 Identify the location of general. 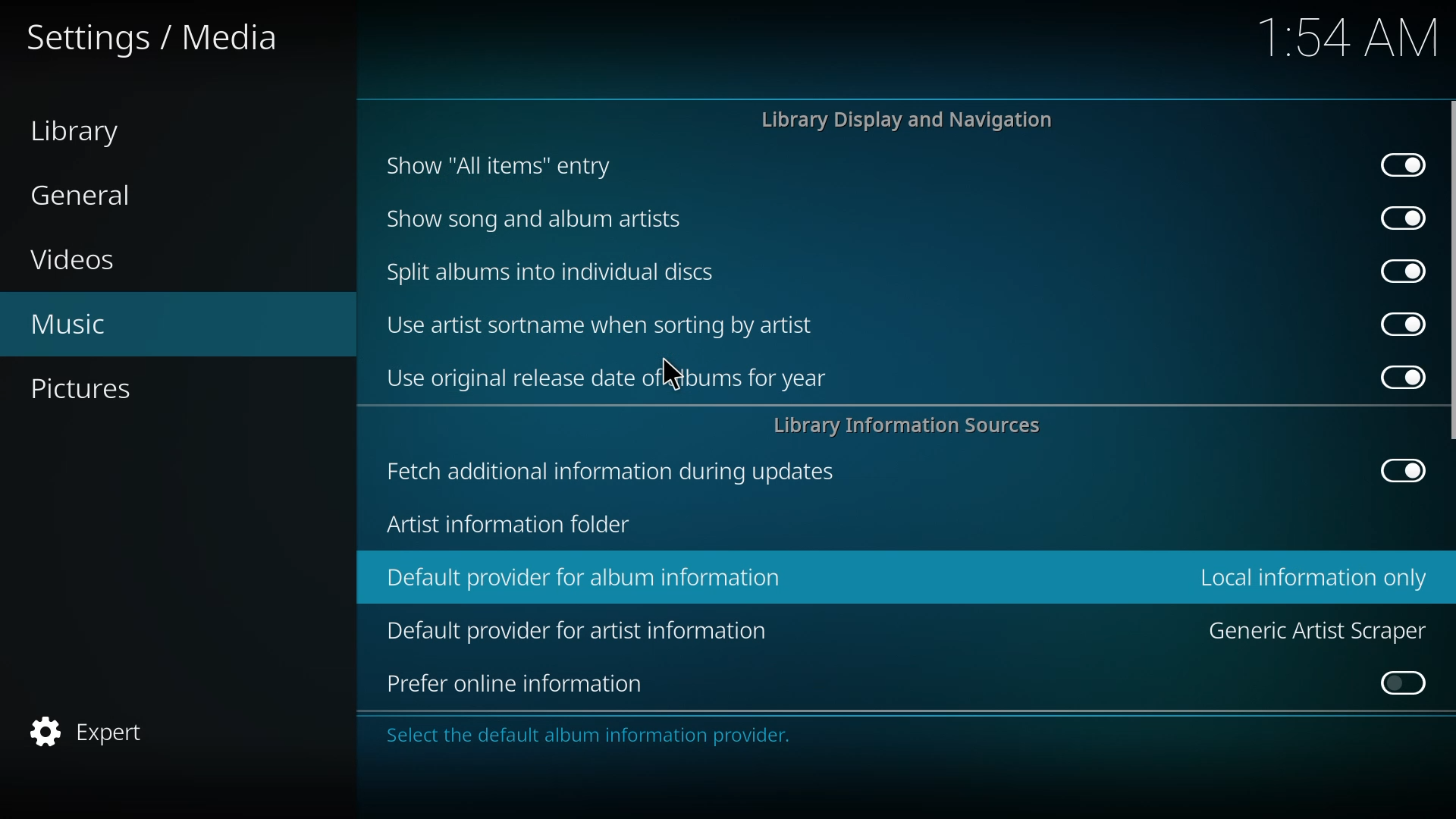
(94, 196).